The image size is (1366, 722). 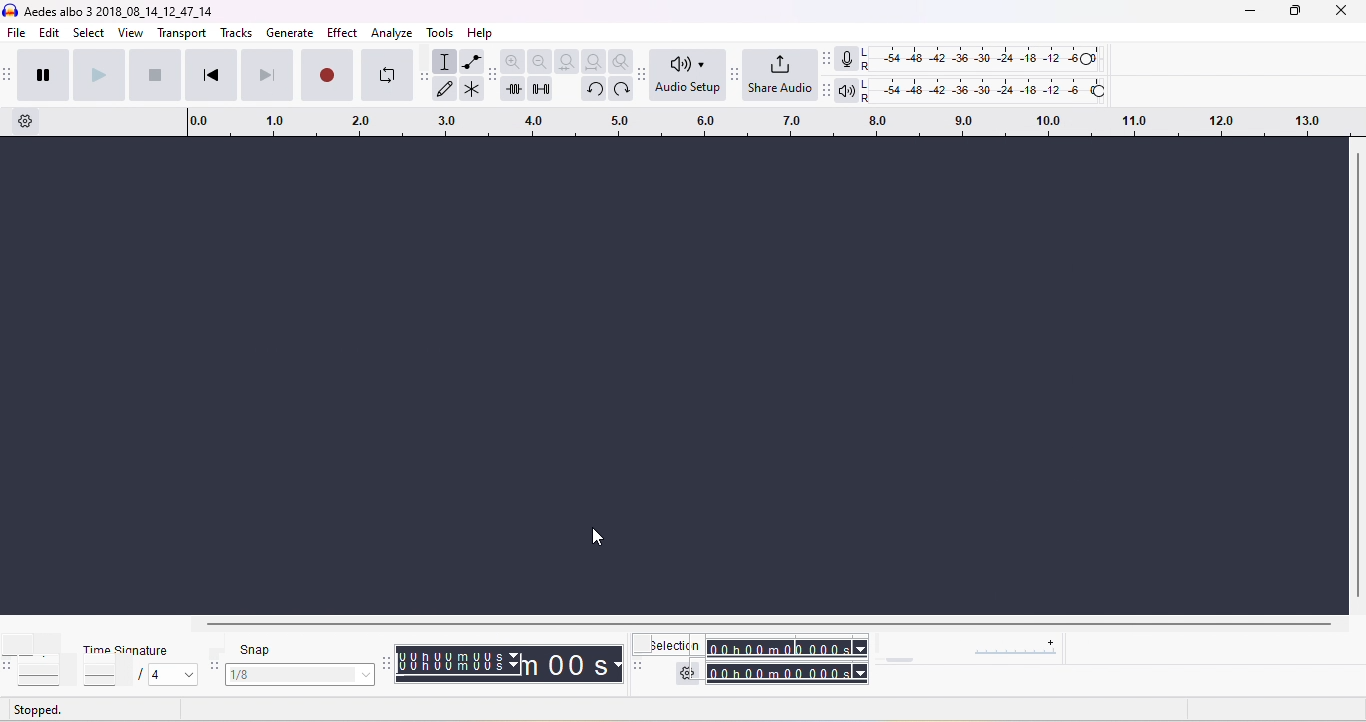 What do you see at coordinates (540, 61) in the screenshot?
I see `zoom out` at bounding box center [540, 61].